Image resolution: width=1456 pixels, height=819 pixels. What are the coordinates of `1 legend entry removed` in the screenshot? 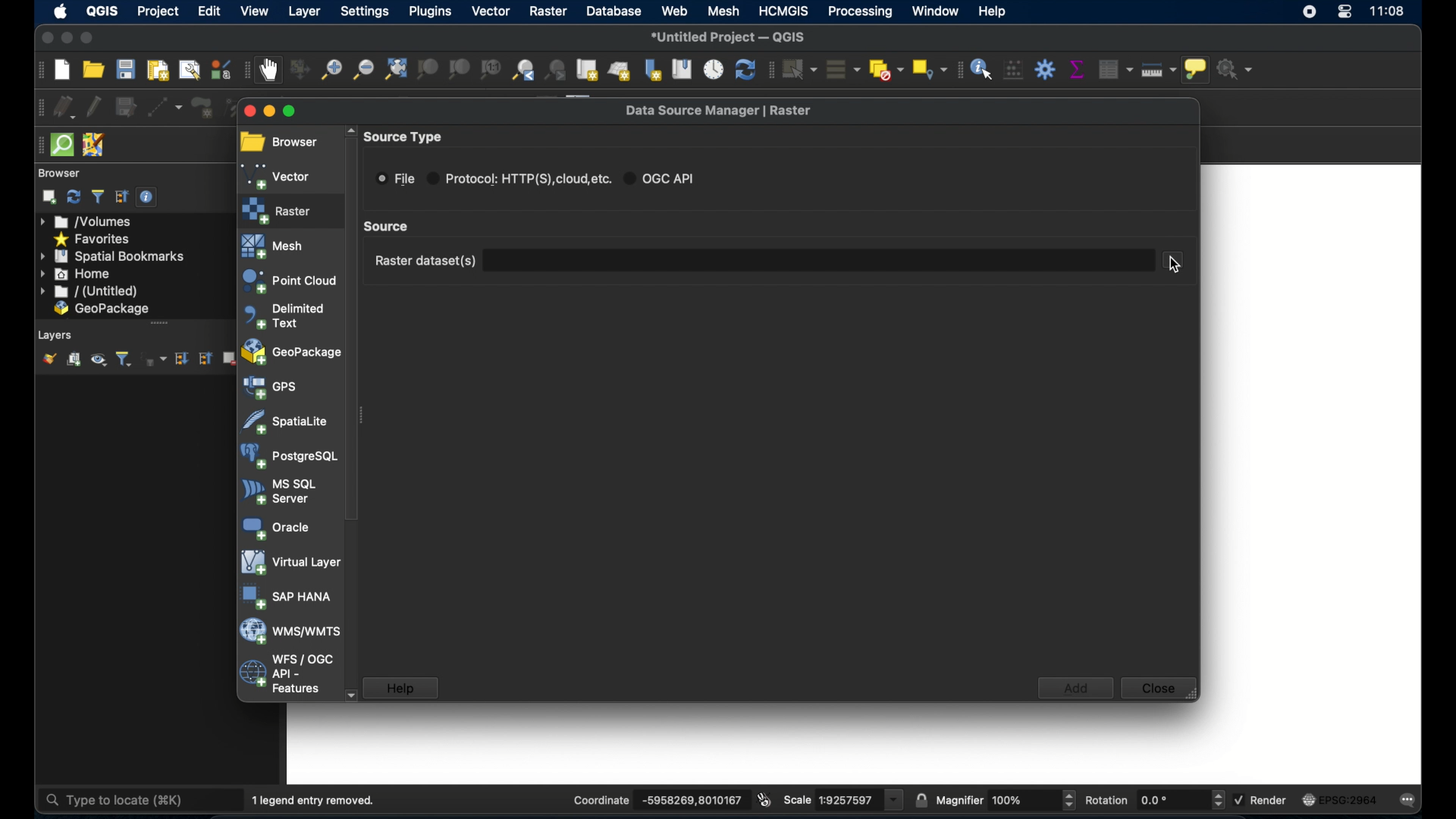 It's located at (318, 799).